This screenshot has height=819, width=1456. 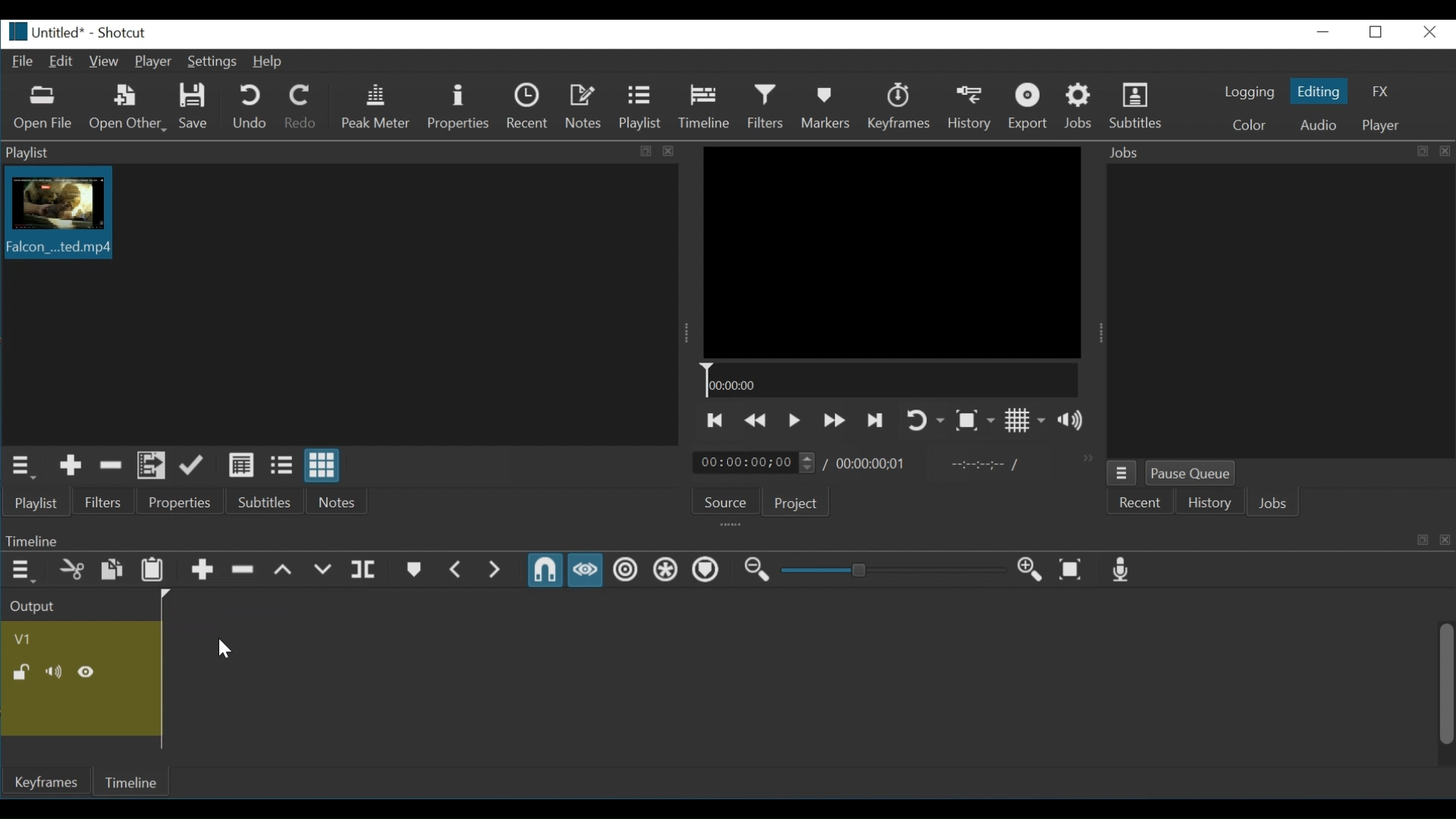 I want to click on Skip to the next point, so click(x=873, y=420).